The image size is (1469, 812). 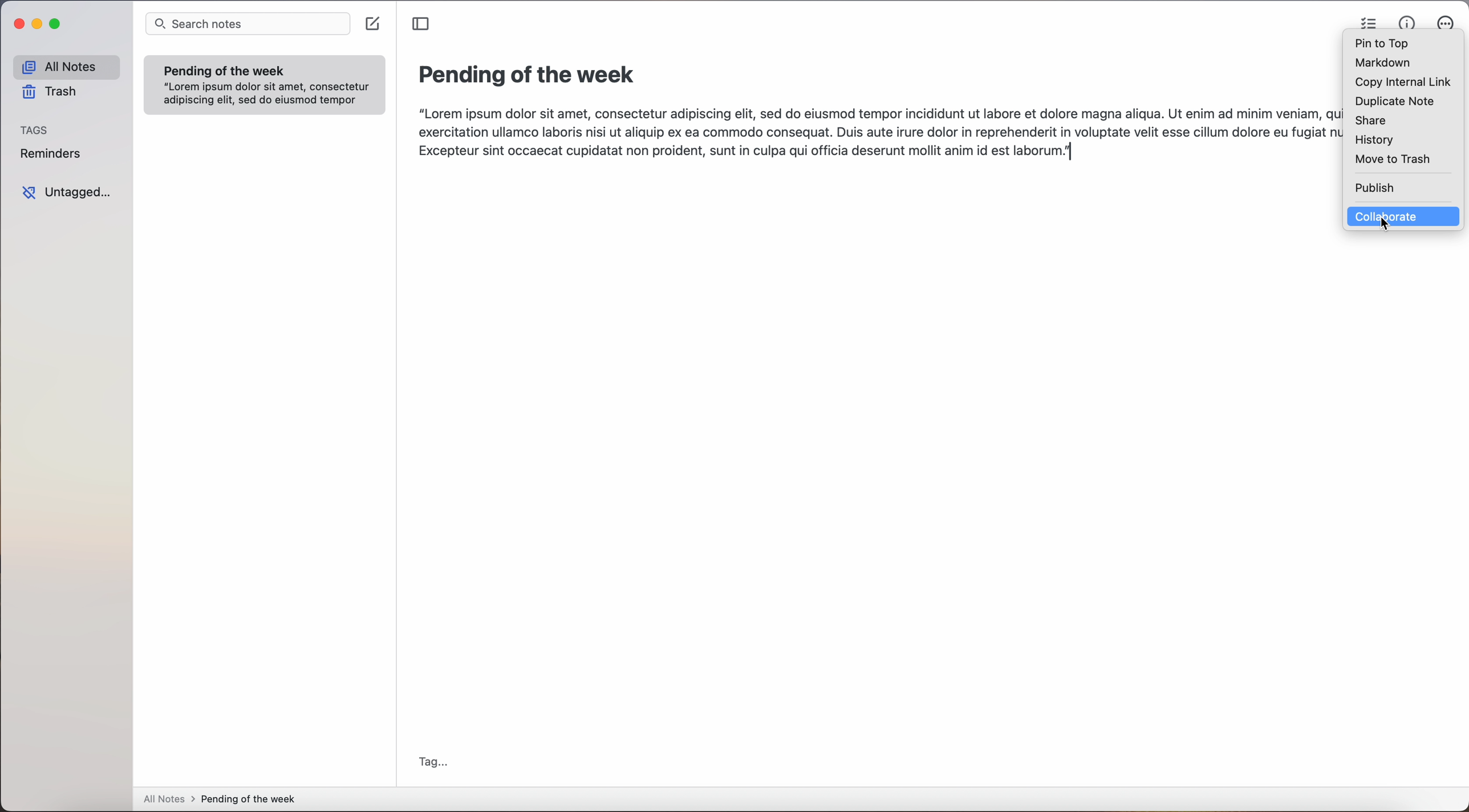 What do you see at coordinates (1394, 160) in the screenshot?
I see `move to trash` at bounding box center [1394, 160].